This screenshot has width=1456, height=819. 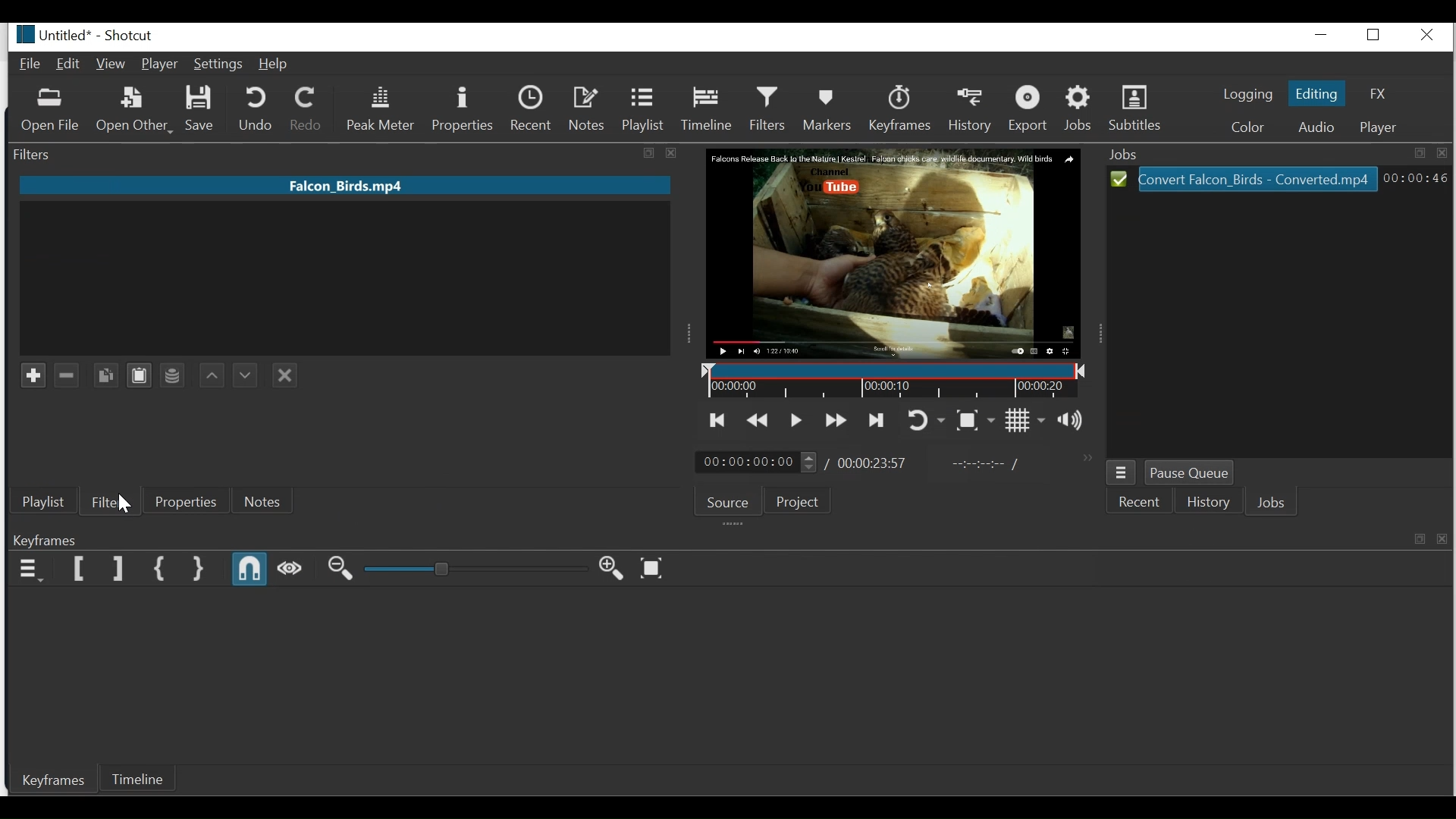 I want to click on Move Filter down, so click(x=243, y=375).